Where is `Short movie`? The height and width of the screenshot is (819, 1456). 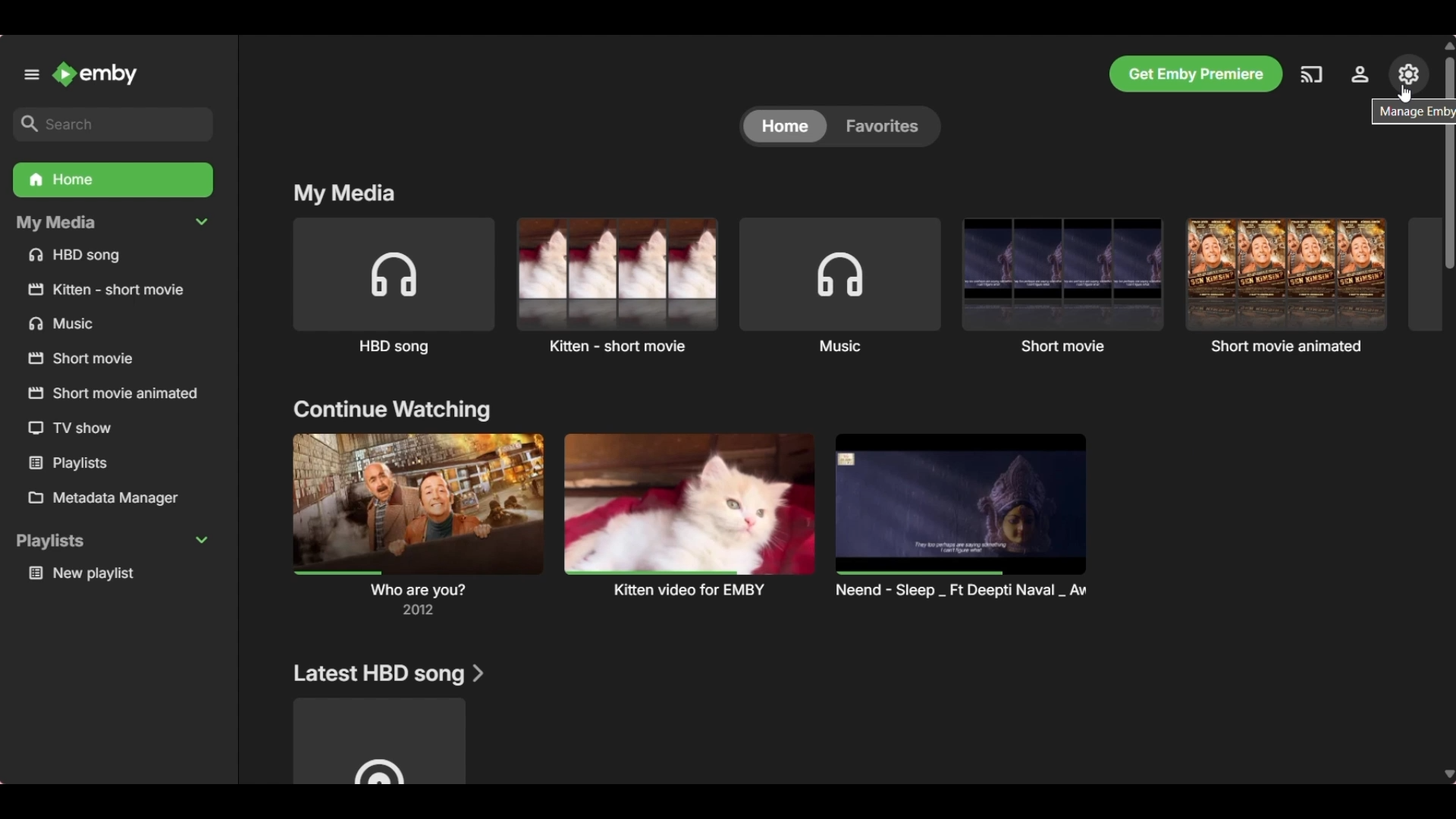 Short movie is located at coordinates (1063, 285).